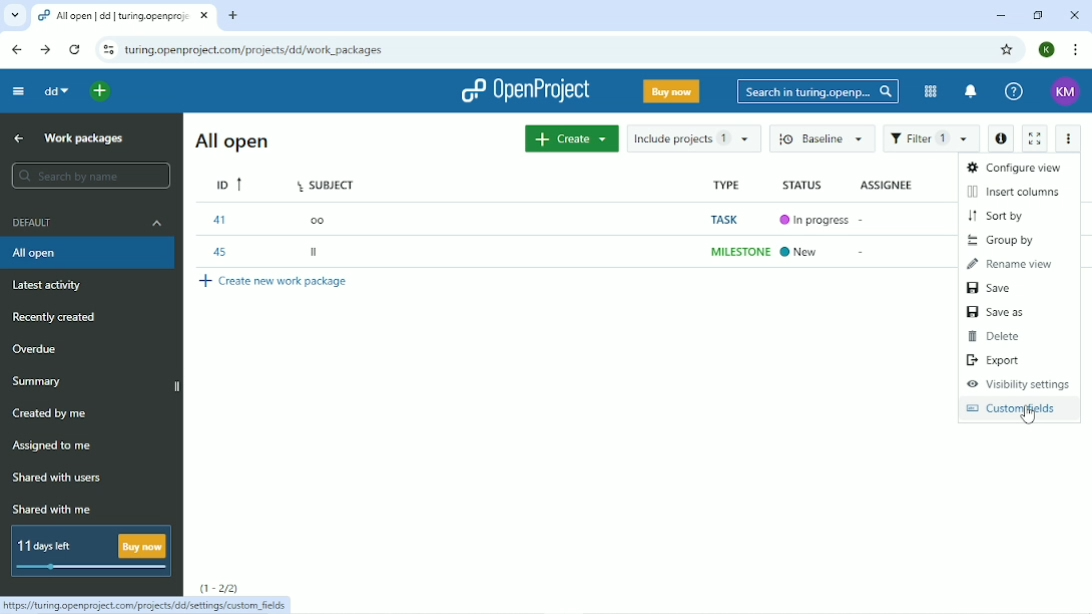 This screenshot has height=614, width=1092. Describe the element at coordinates (1005, 239) in the screenshot. I see `Group by` at that location.